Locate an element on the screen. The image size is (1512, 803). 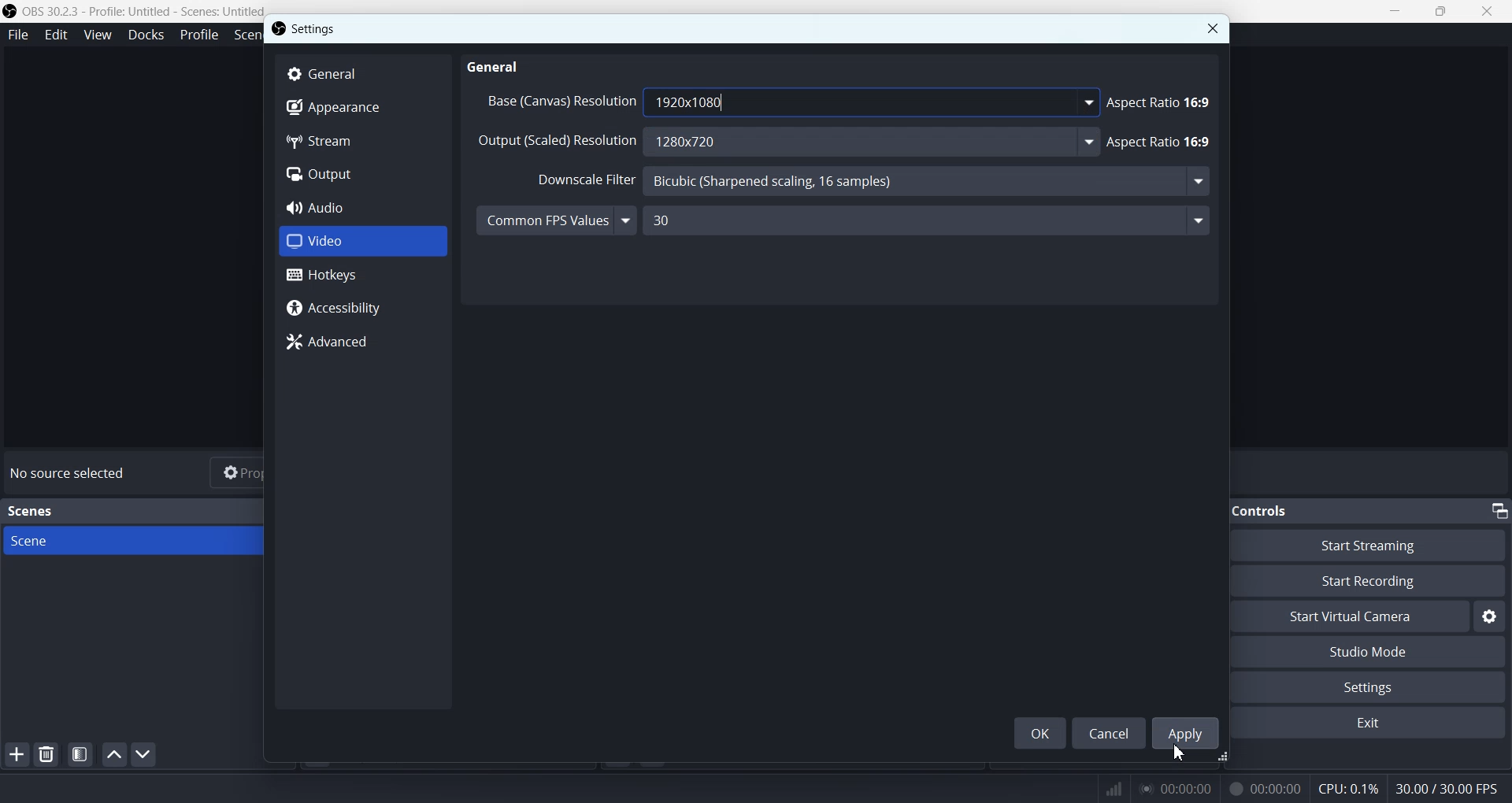
Biscubic is located at coordinates (932, 183).